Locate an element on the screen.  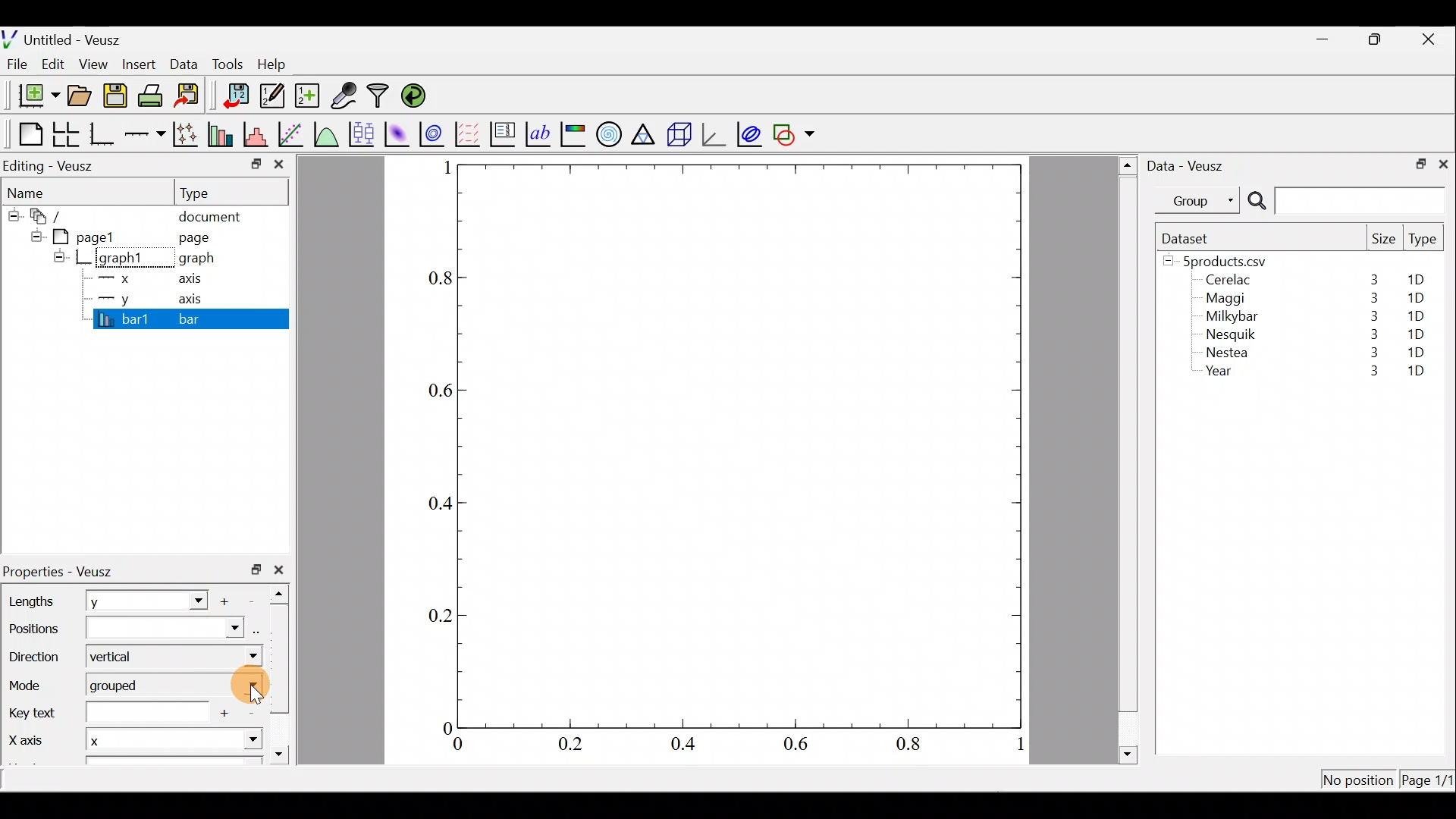
0.6 is located at coordinates (802, 748).